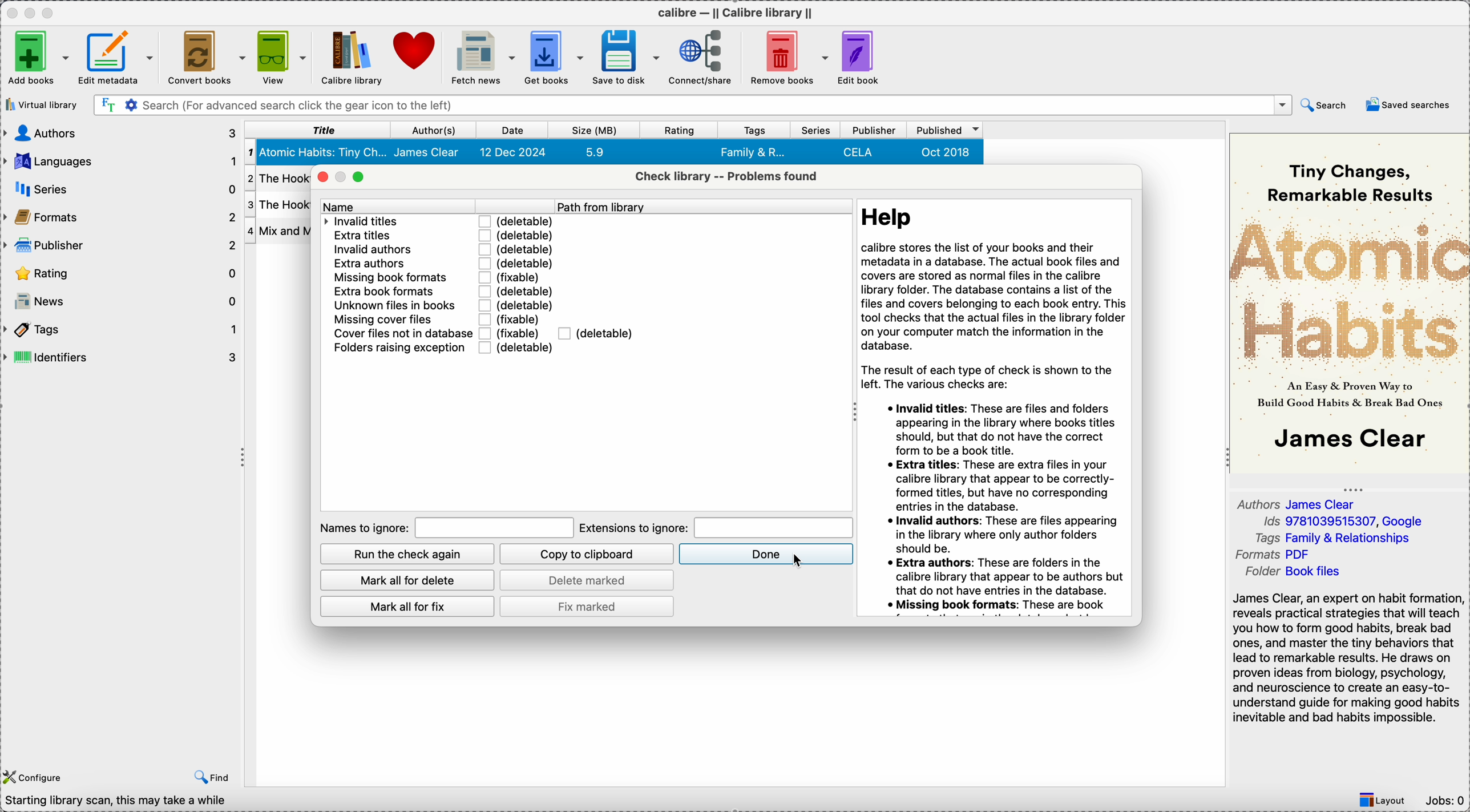 This screenshot has width=1470, height=812. Describe the element at coordinates (397, 292) in the screenshot. I see `extra book formats` at that location.